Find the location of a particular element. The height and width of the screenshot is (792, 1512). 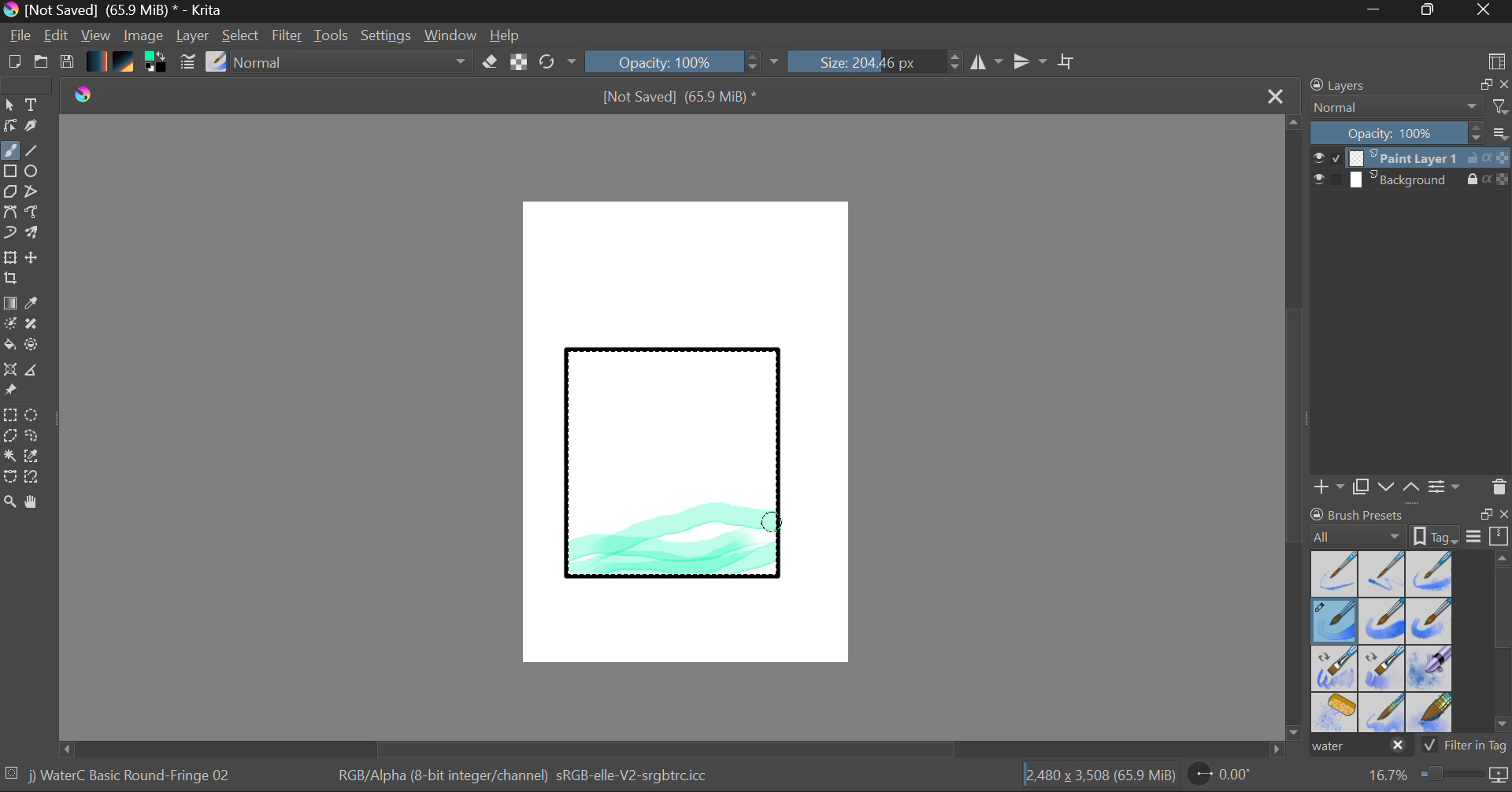

Water C - Wet is located at coordinates (1384, 574).